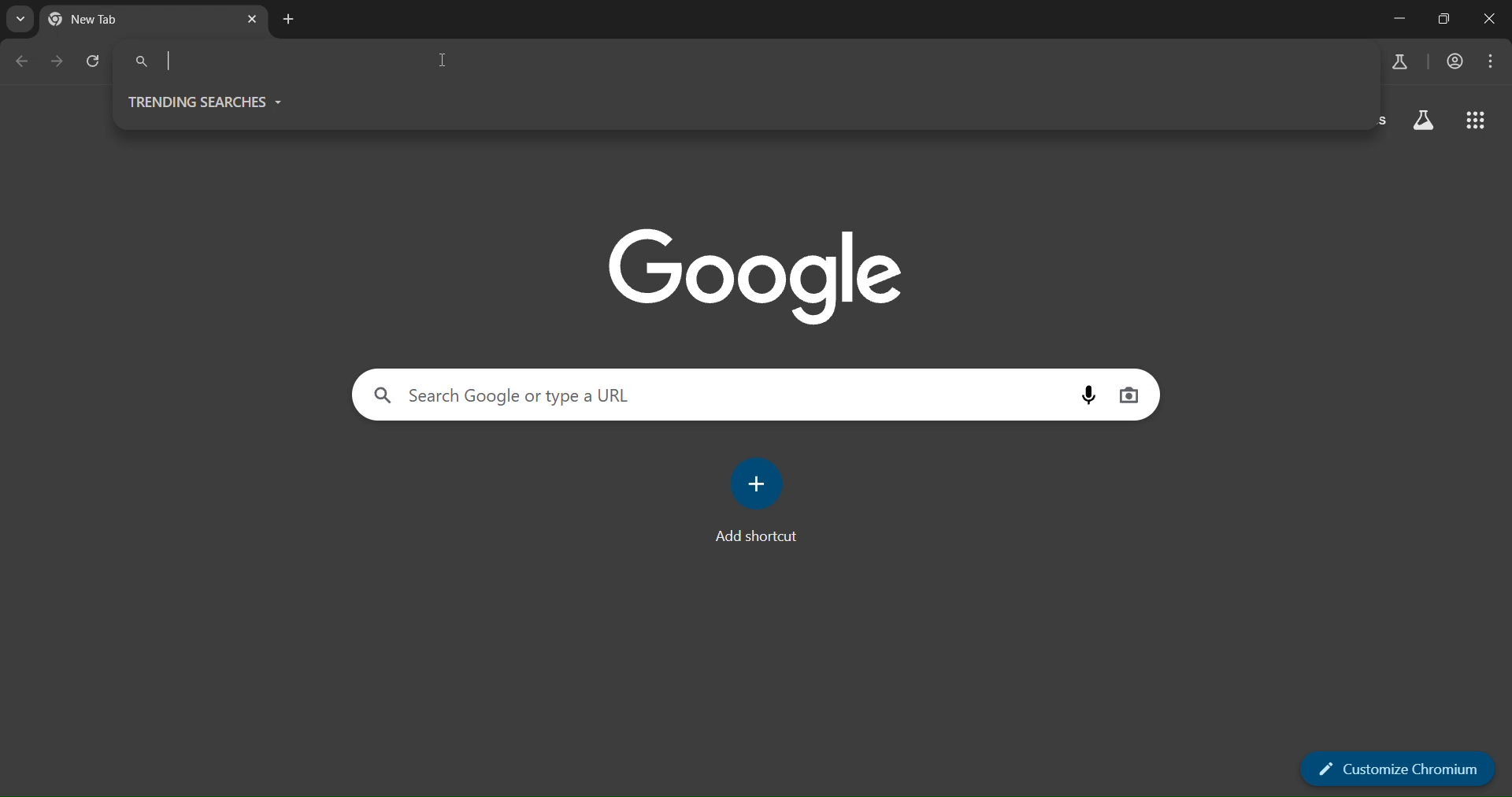  Describe the element at coordinates (1399, 19) in the screenshot. I see `minimize` at that location.